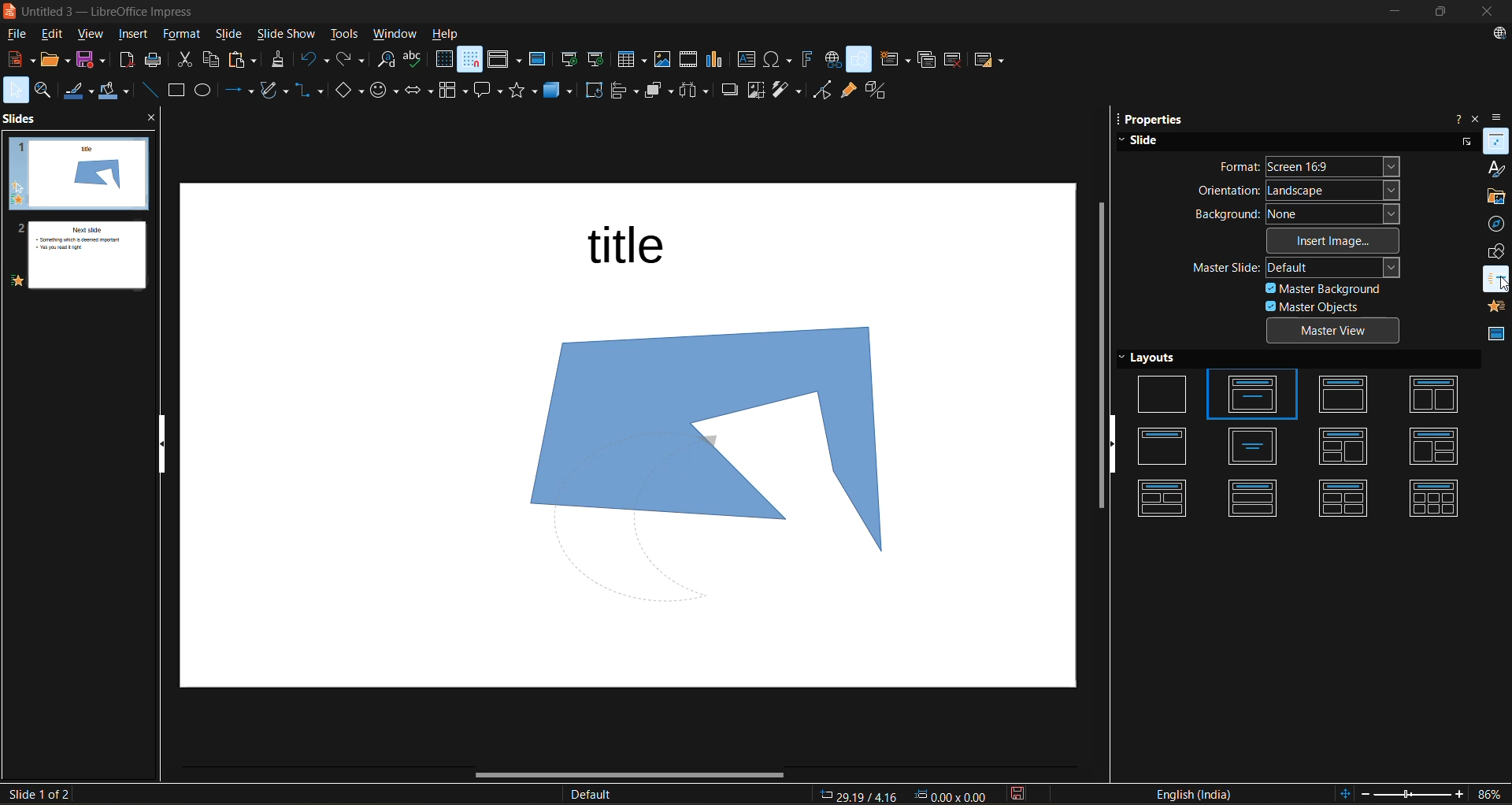 This screenshot has height=805, width=1512. Describe the element at coordinates (1297, 189) in the screenshot. I see `orientation` at that location.